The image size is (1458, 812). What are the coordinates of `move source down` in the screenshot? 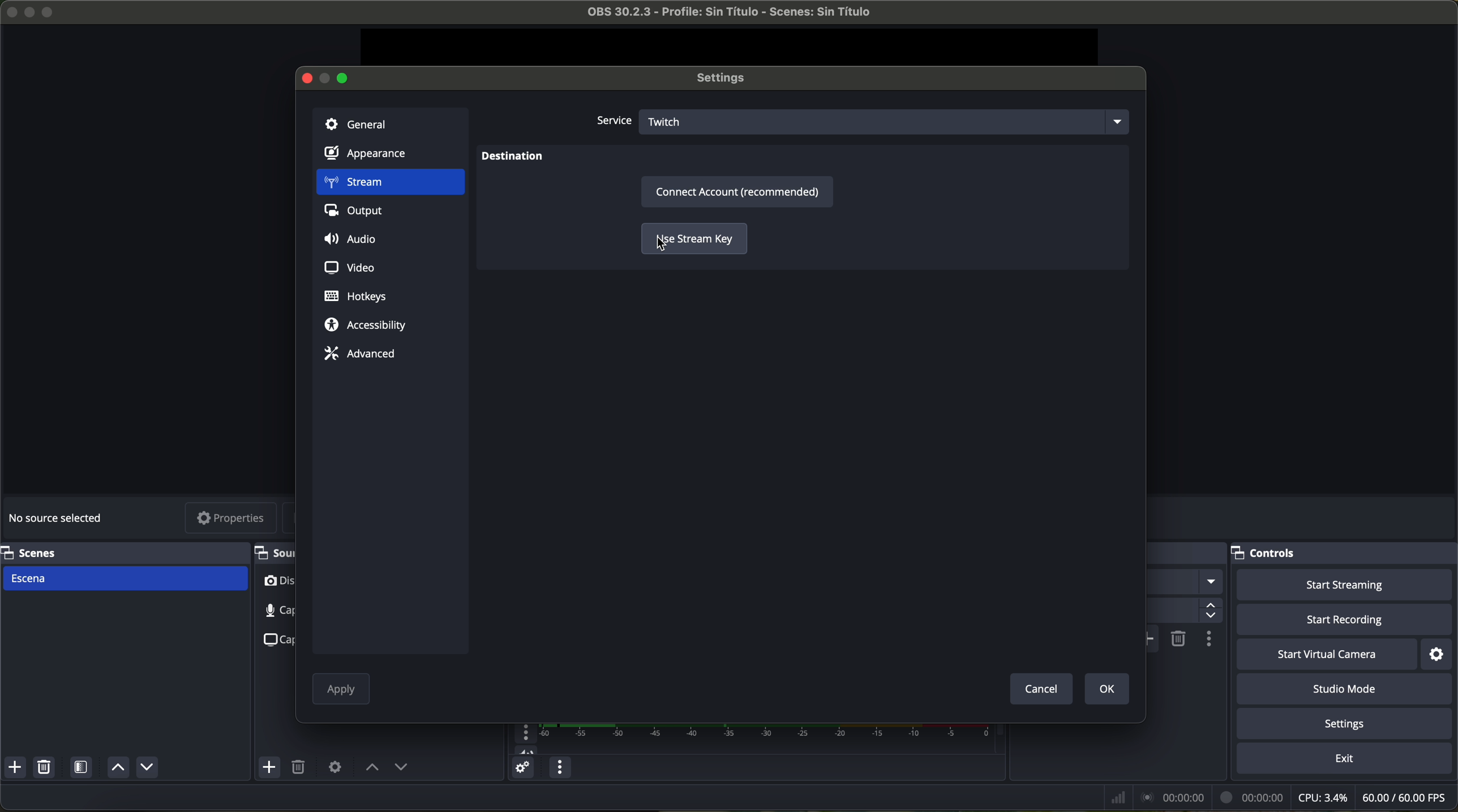 It's located at (147, 767).